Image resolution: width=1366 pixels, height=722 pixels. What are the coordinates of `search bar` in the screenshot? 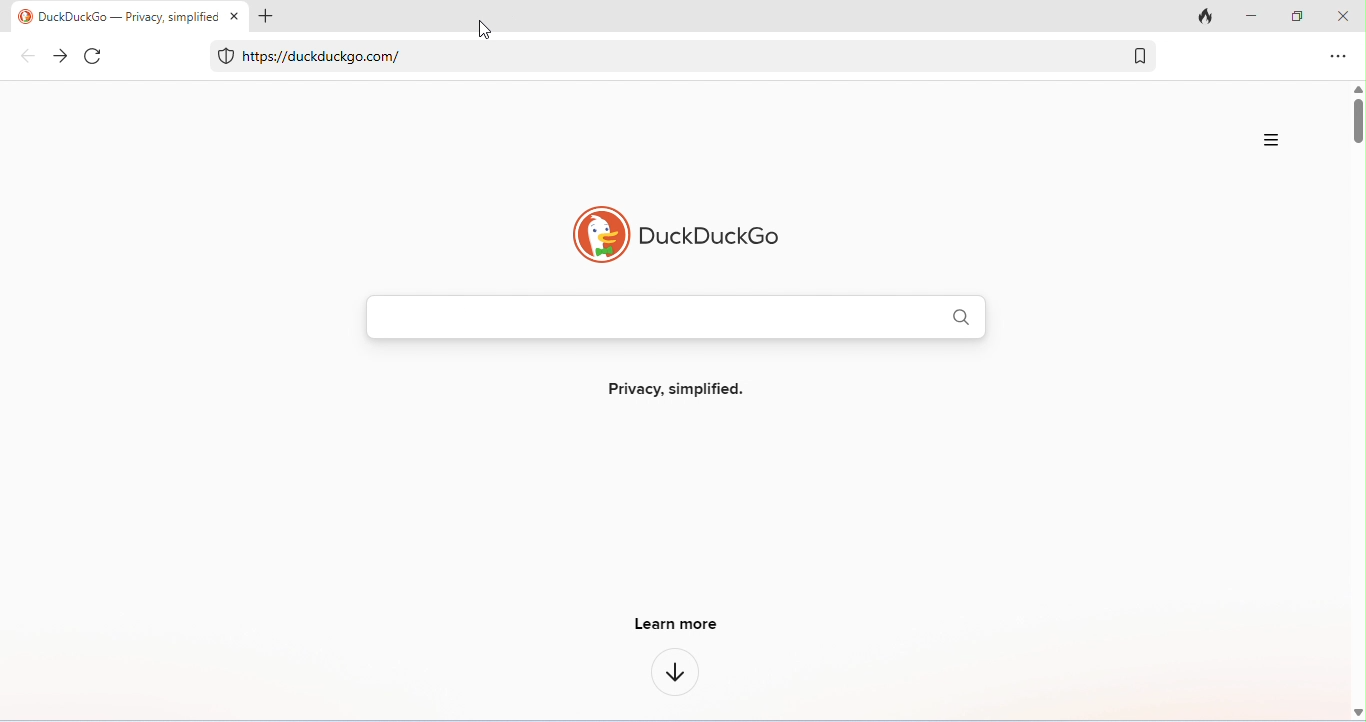 It's located at (676, 317).